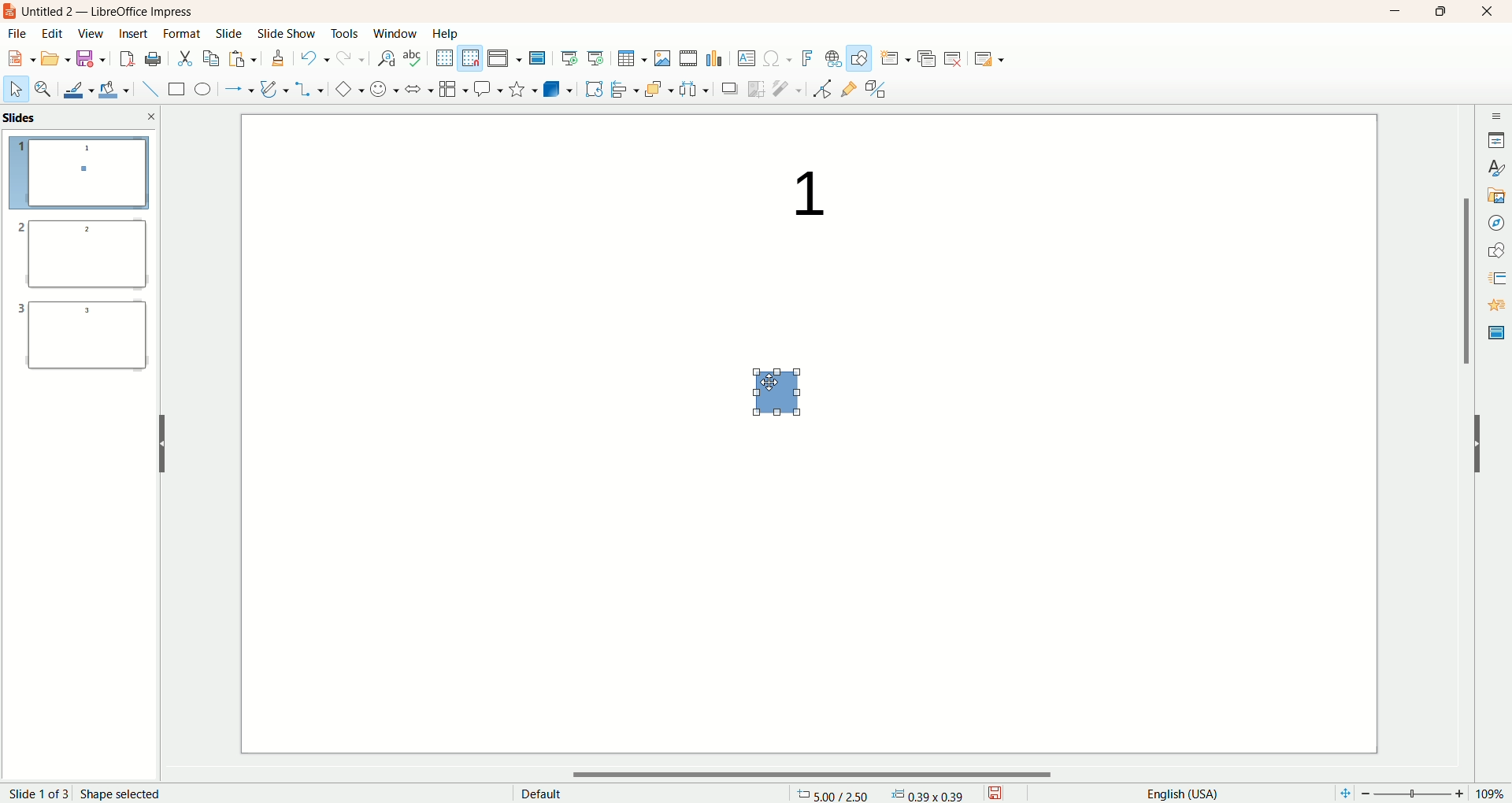 The image size is (1512, 803). I want to click on flowchart, so click(450, 90).